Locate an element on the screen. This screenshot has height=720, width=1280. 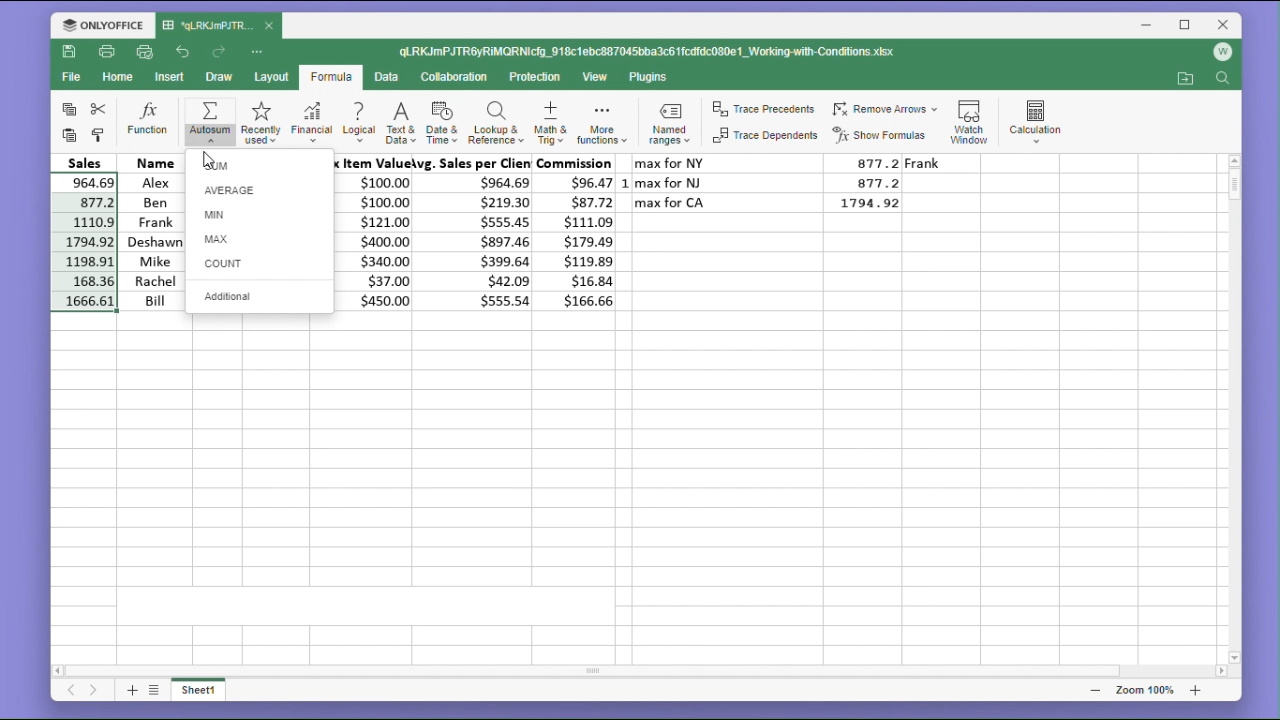
insert is located at coordinates (172, 77).